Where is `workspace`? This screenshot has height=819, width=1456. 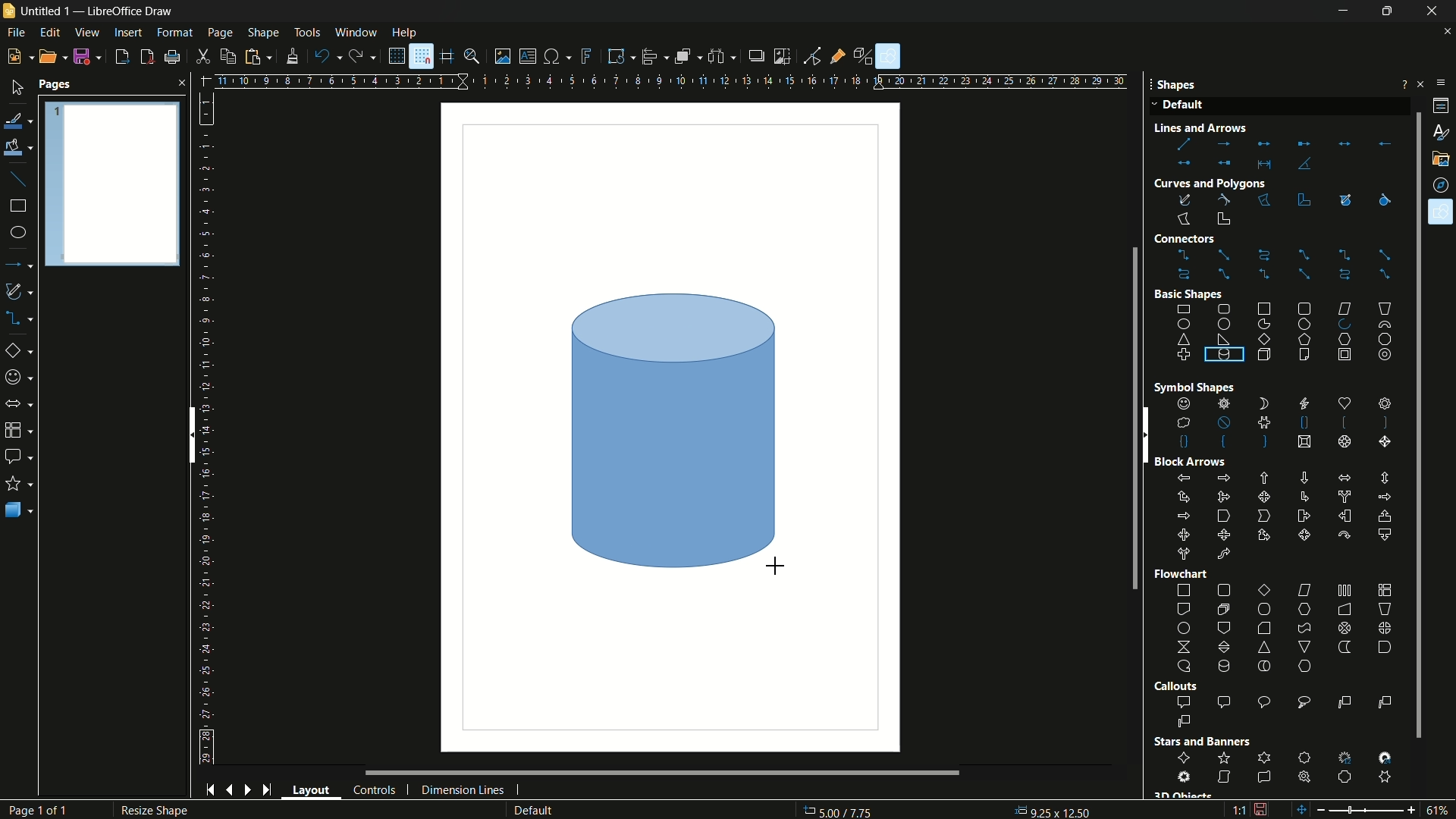 workspace is located at coordinates (670, 427).